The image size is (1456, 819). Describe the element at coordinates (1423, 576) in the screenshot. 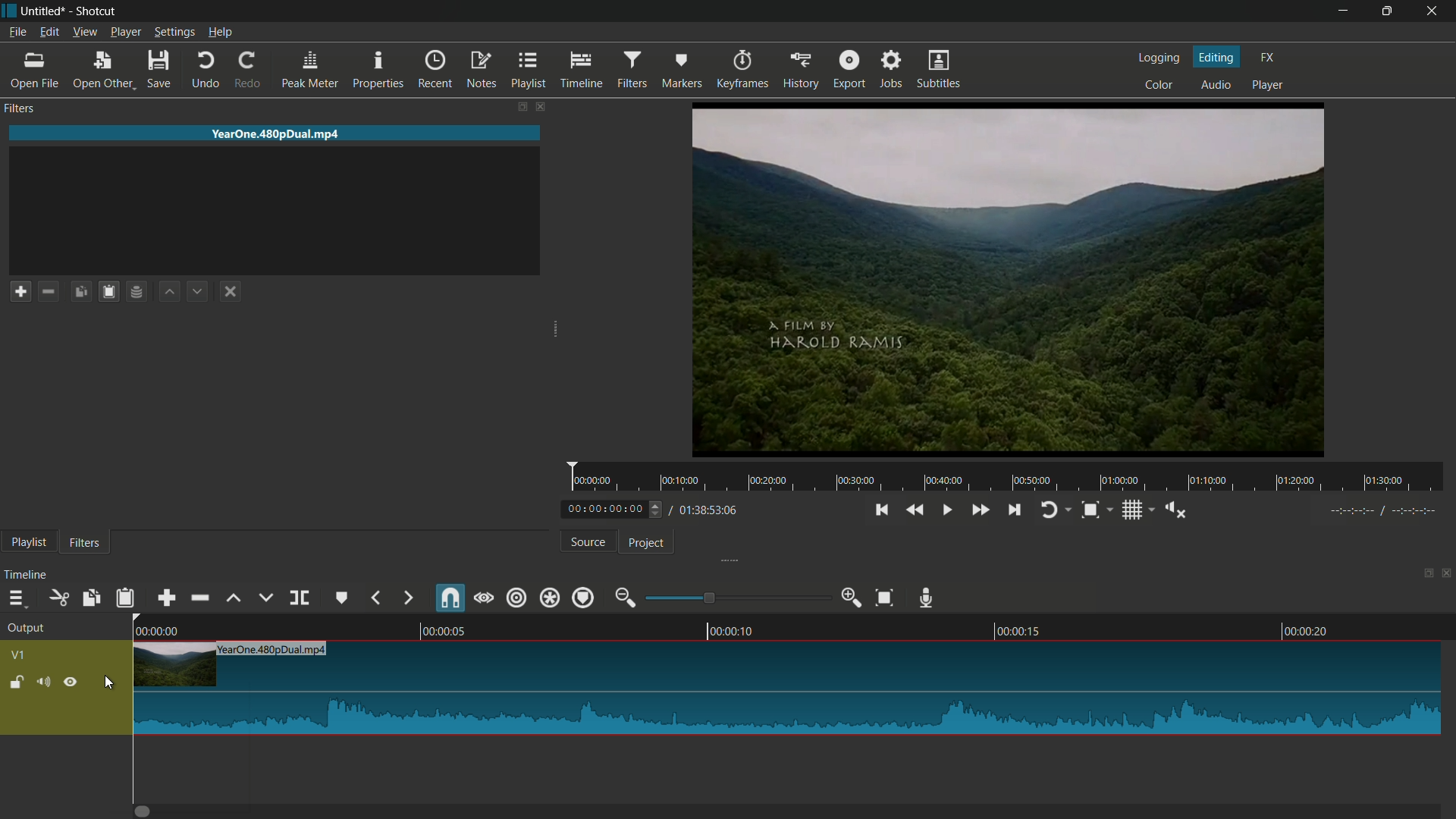

I see `change layout` at that location.